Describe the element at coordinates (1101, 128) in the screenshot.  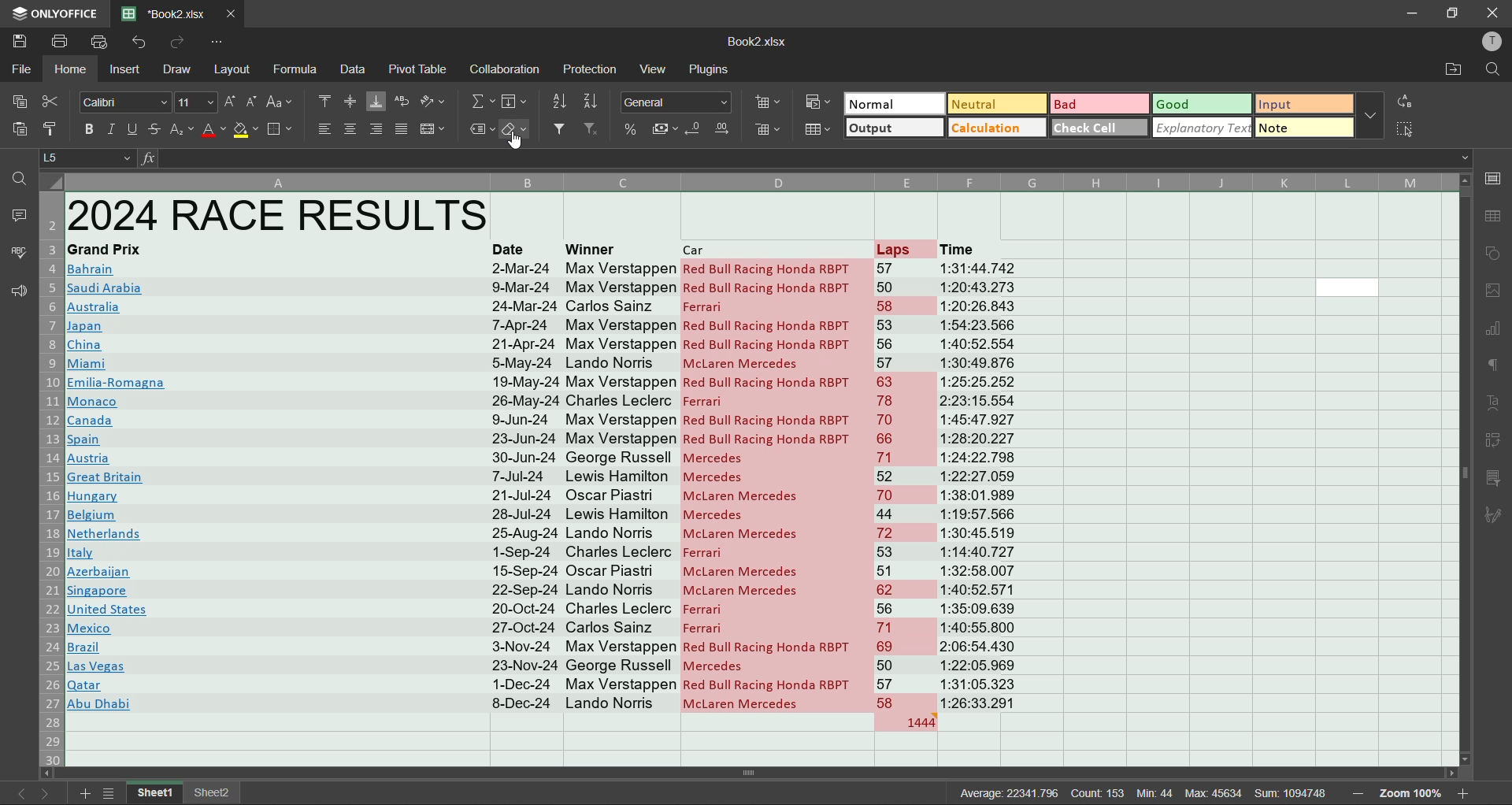
I see `check cell` at that location.